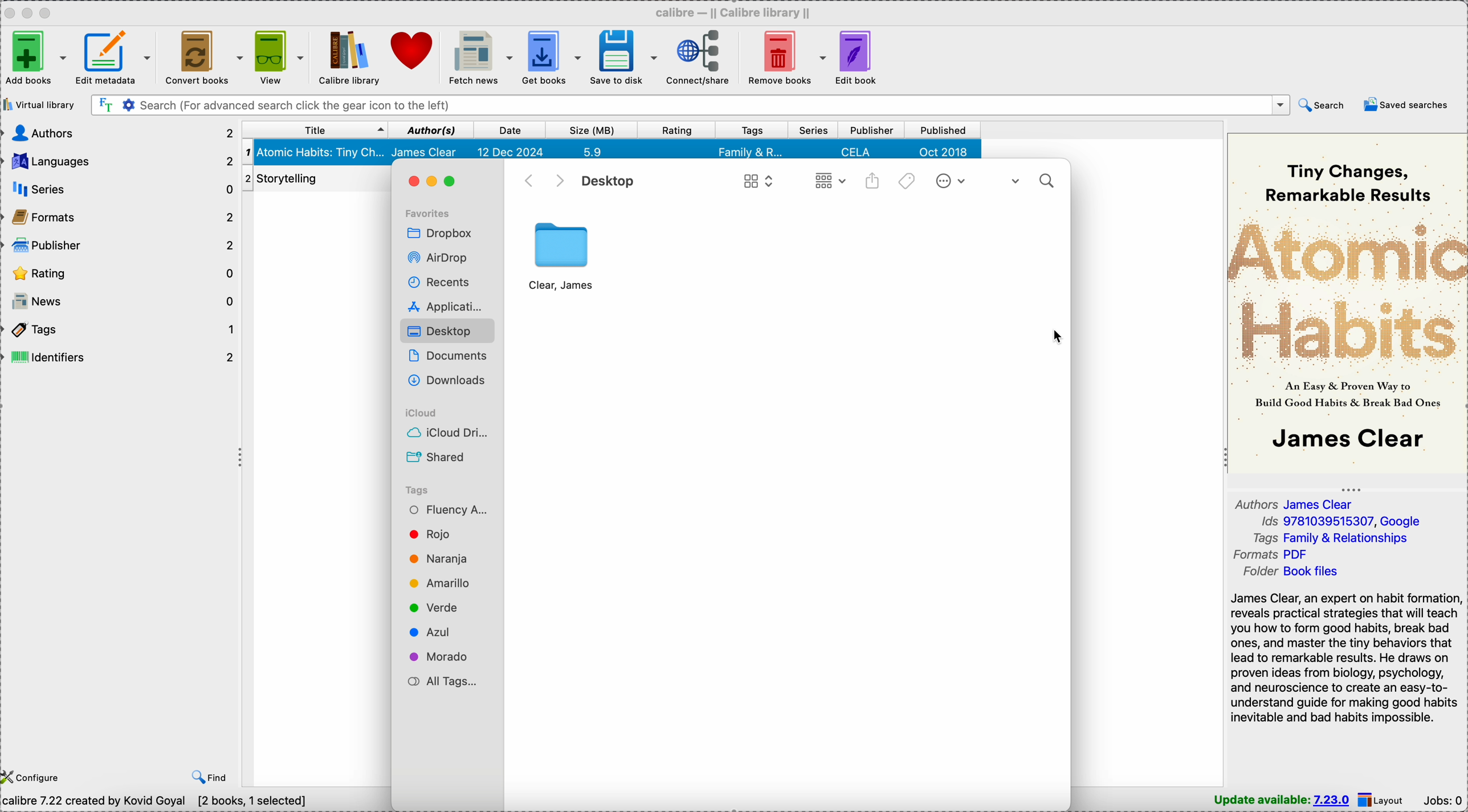 Image resolution: width=1468 pixels, height=812 pixels. What do you see at coordinates (445, 380) in the screenshot?
I see `Downloads` at bounding box center [445, 380].